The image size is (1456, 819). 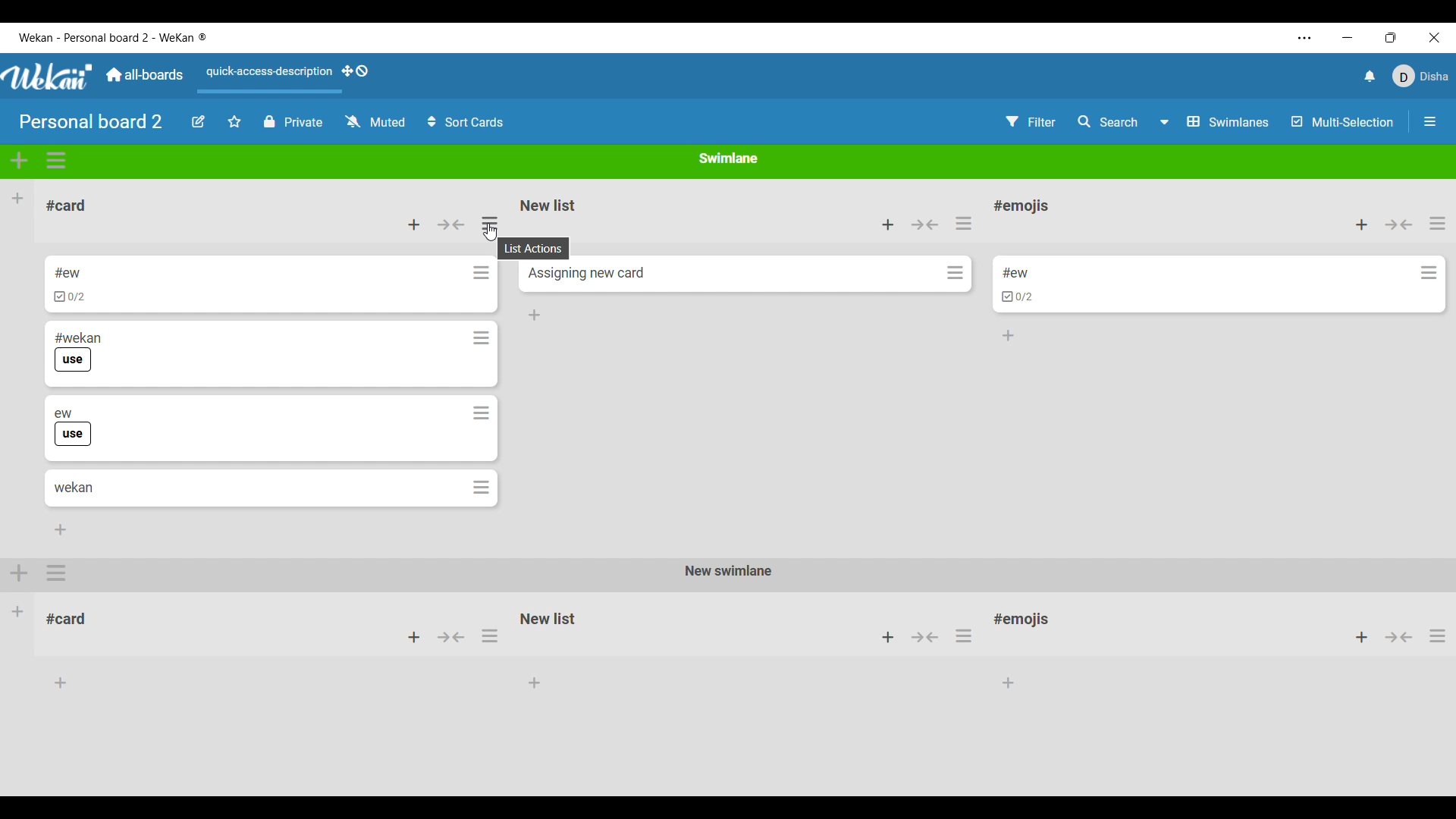 What do you see at coordinates (74, 487) in the screenshot?
I see `Card name` at bounding box center [74, 487].